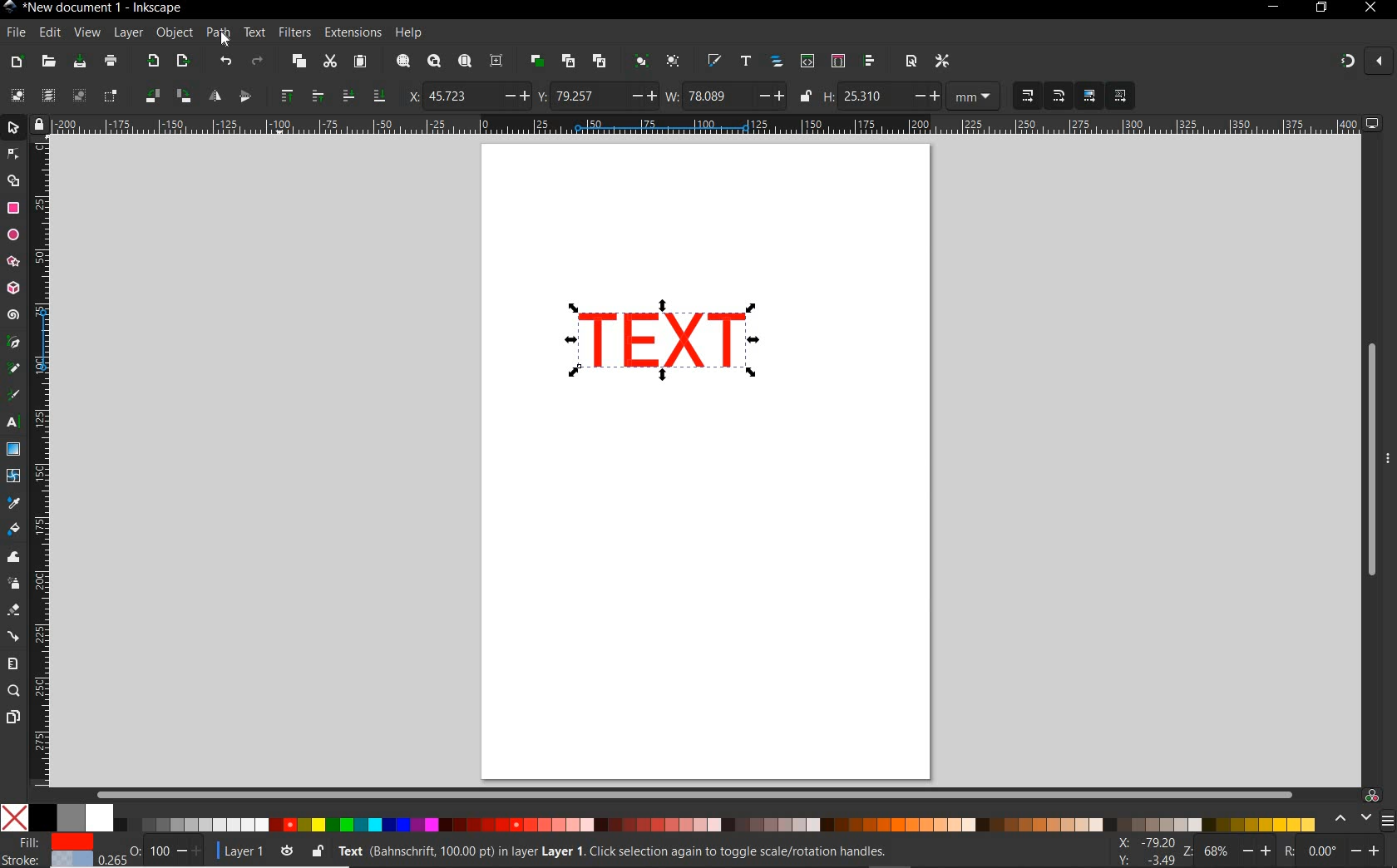  Describe the element at coordinates (974, 98) in the screenshot. I see `MEASUREMENT` at that location.